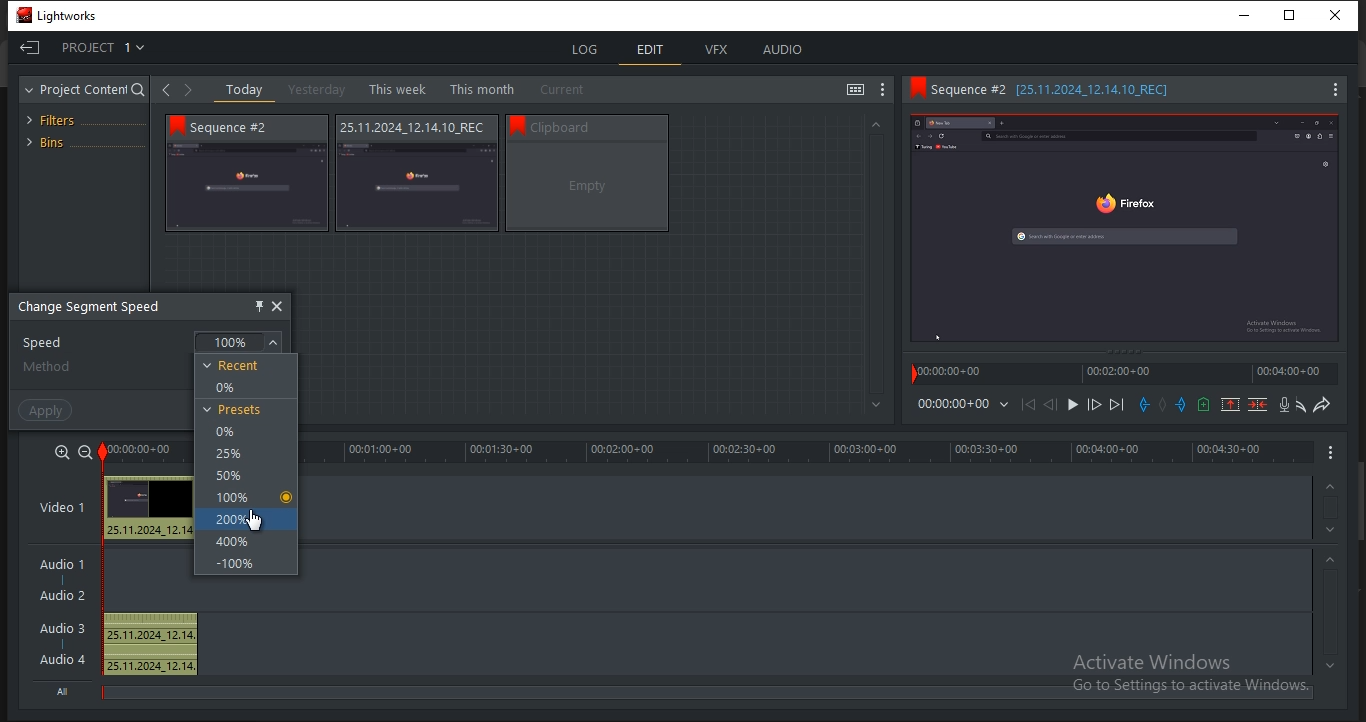 This screenshot has height=722, width=1366. Describe the element at coordinates (1330, 559) in the screenshot. I see `timeline navigation up arrow` at that location.